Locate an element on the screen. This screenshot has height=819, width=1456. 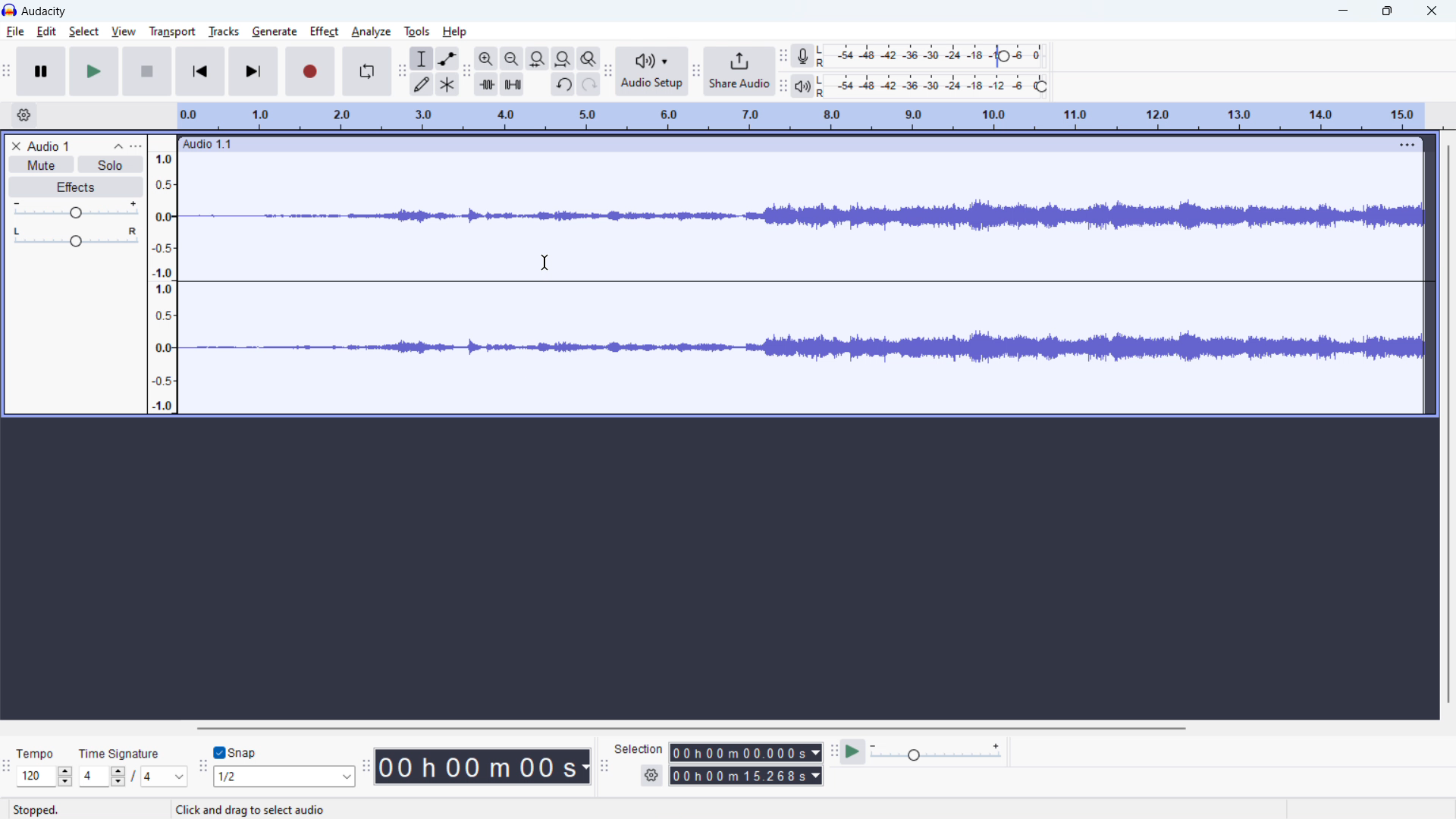
playback meter is located at coordinates (937, 86).